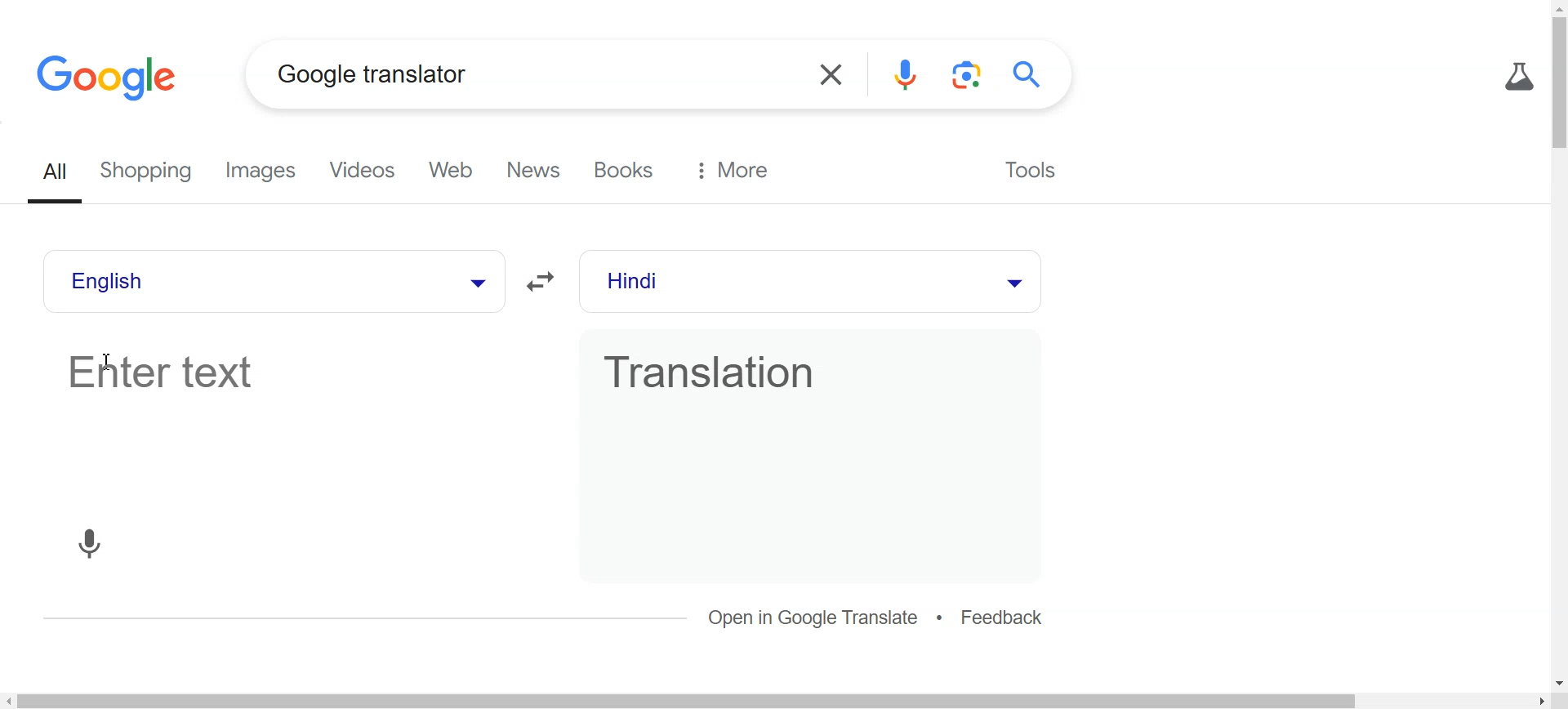  What do you see at coordinates (286, 416) in the screenshot?
I see `Enter Text` at bounding box center [286, 416].